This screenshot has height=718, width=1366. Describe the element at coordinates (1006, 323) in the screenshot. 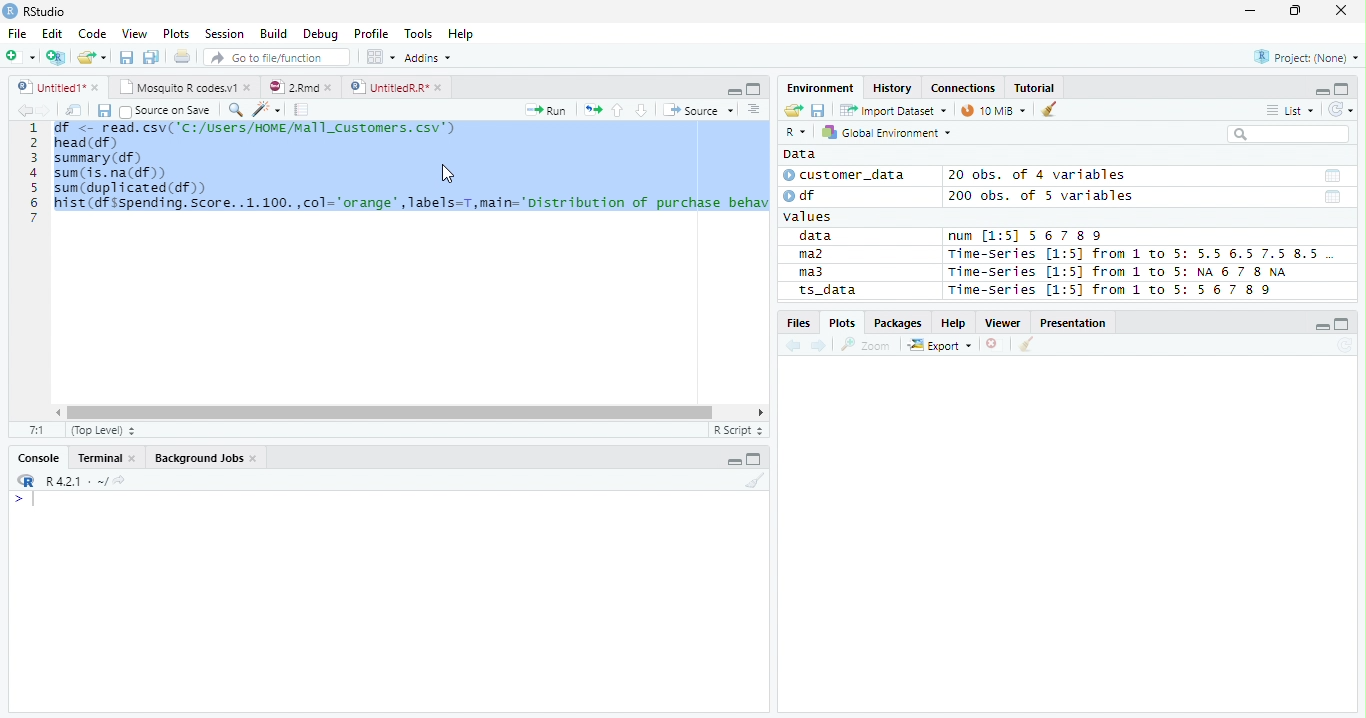

I see `Viewer` at that location.